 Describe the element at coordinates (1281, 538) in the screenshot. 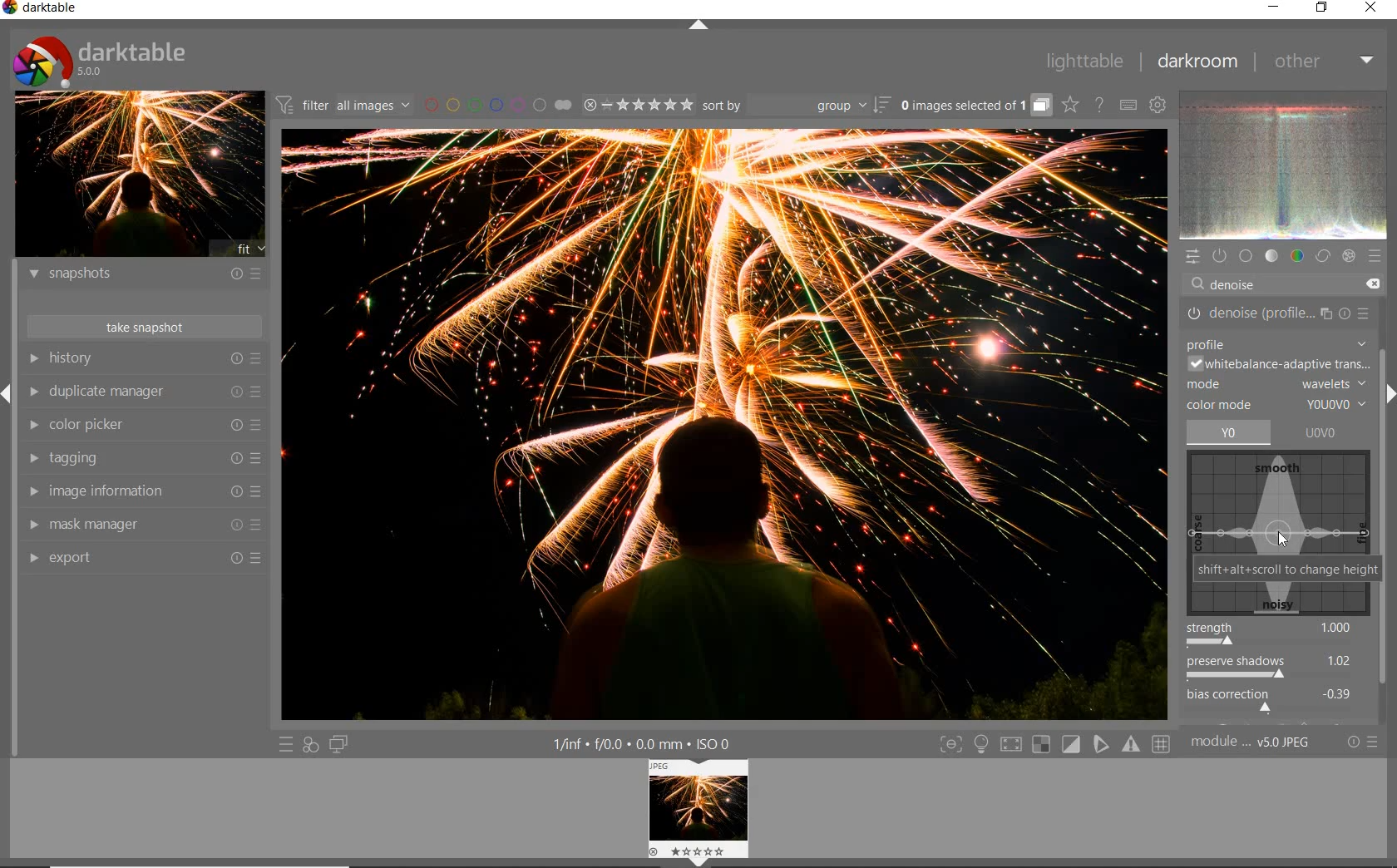

I see `CURSOR` at that location.